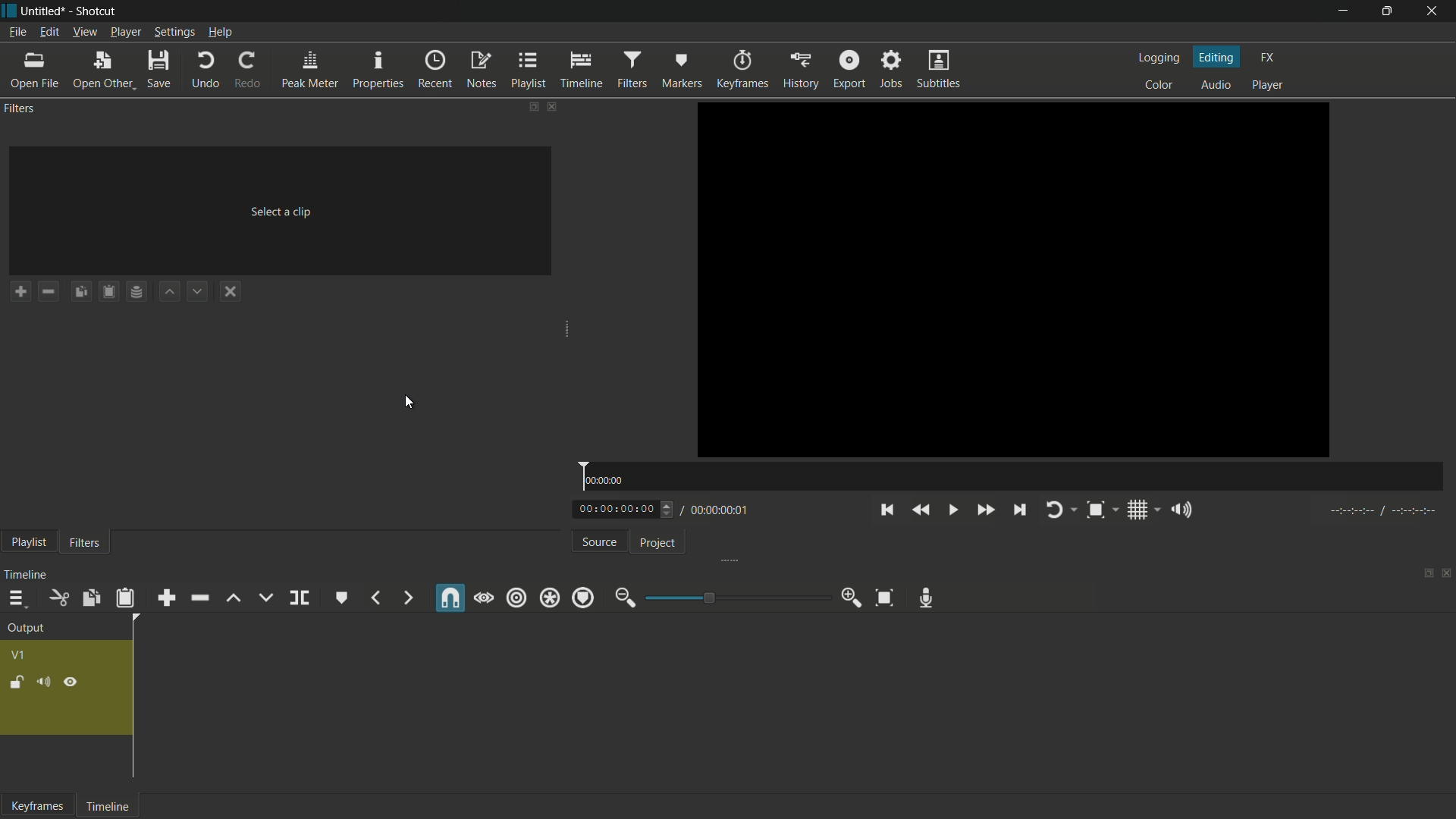 Image resolution: width=1456 pixels, height=819 pixels. I want to click on subtitles, so click(939, 68).